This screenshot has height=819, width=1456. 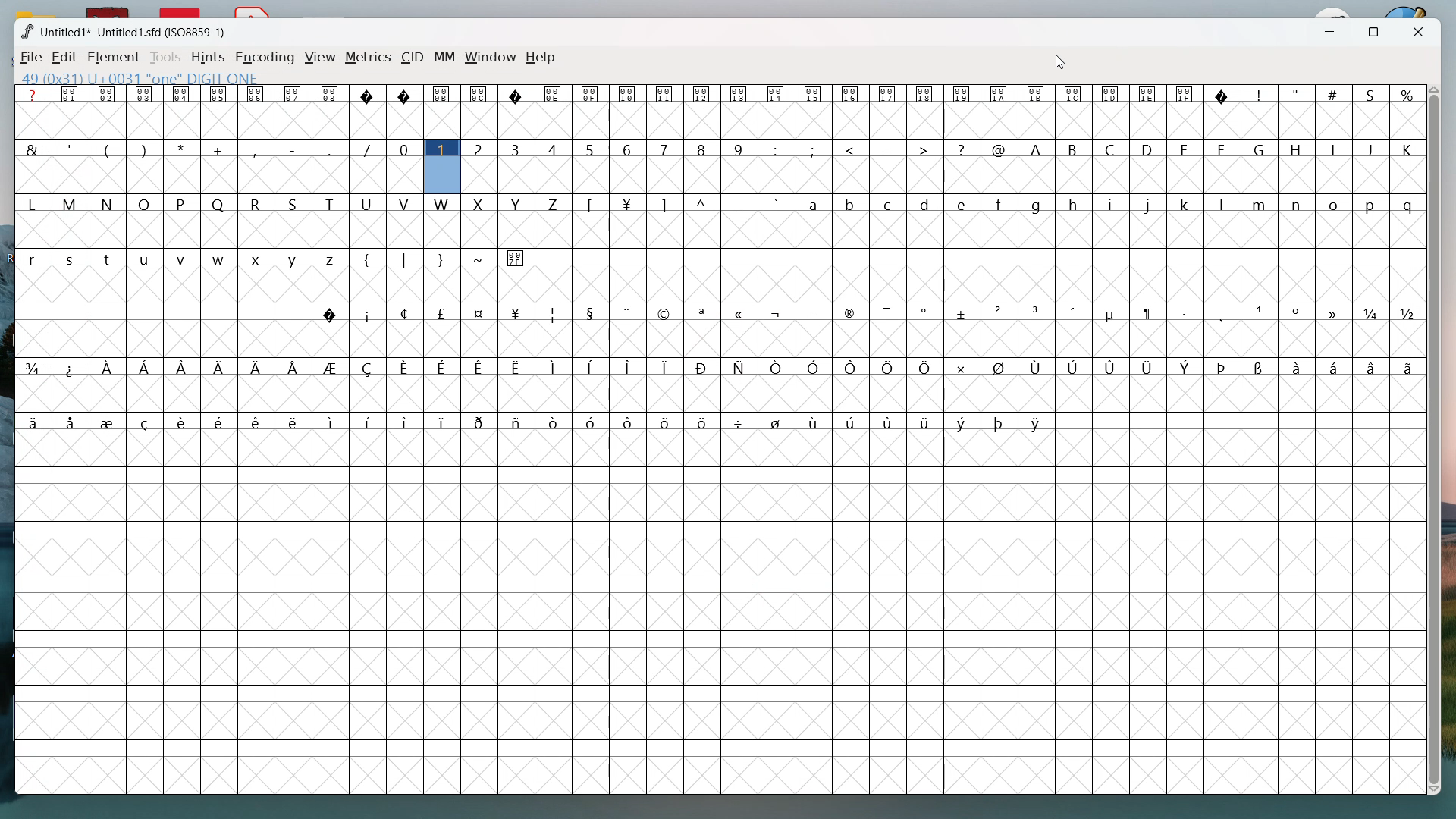 What do you see at coordinates (481, 93) in the screenshot?
I see `symbol` at bounding box center [481, 93].